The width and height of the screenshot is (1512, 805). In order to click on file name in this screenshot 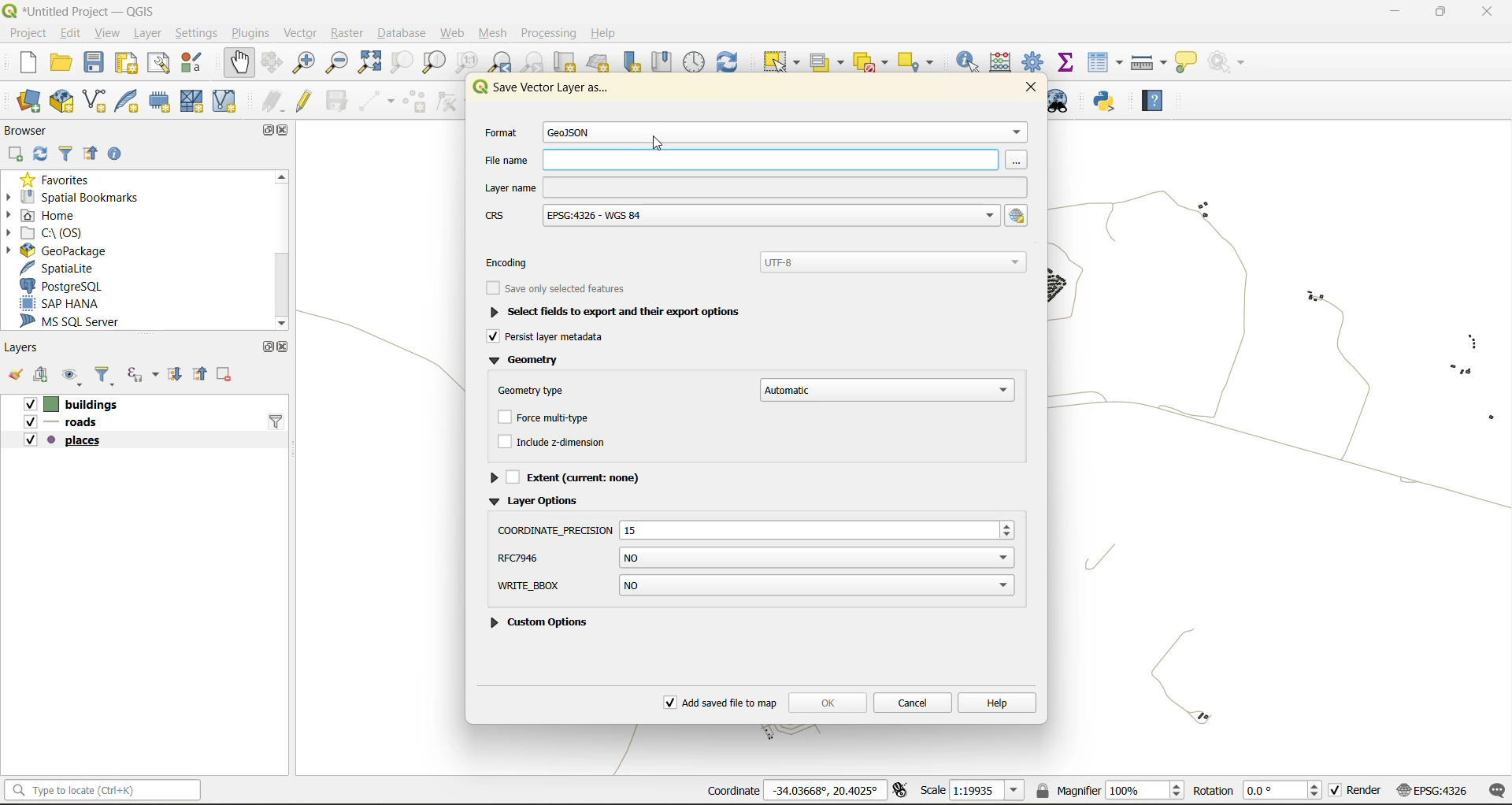, I will do `click(755, 158)`.